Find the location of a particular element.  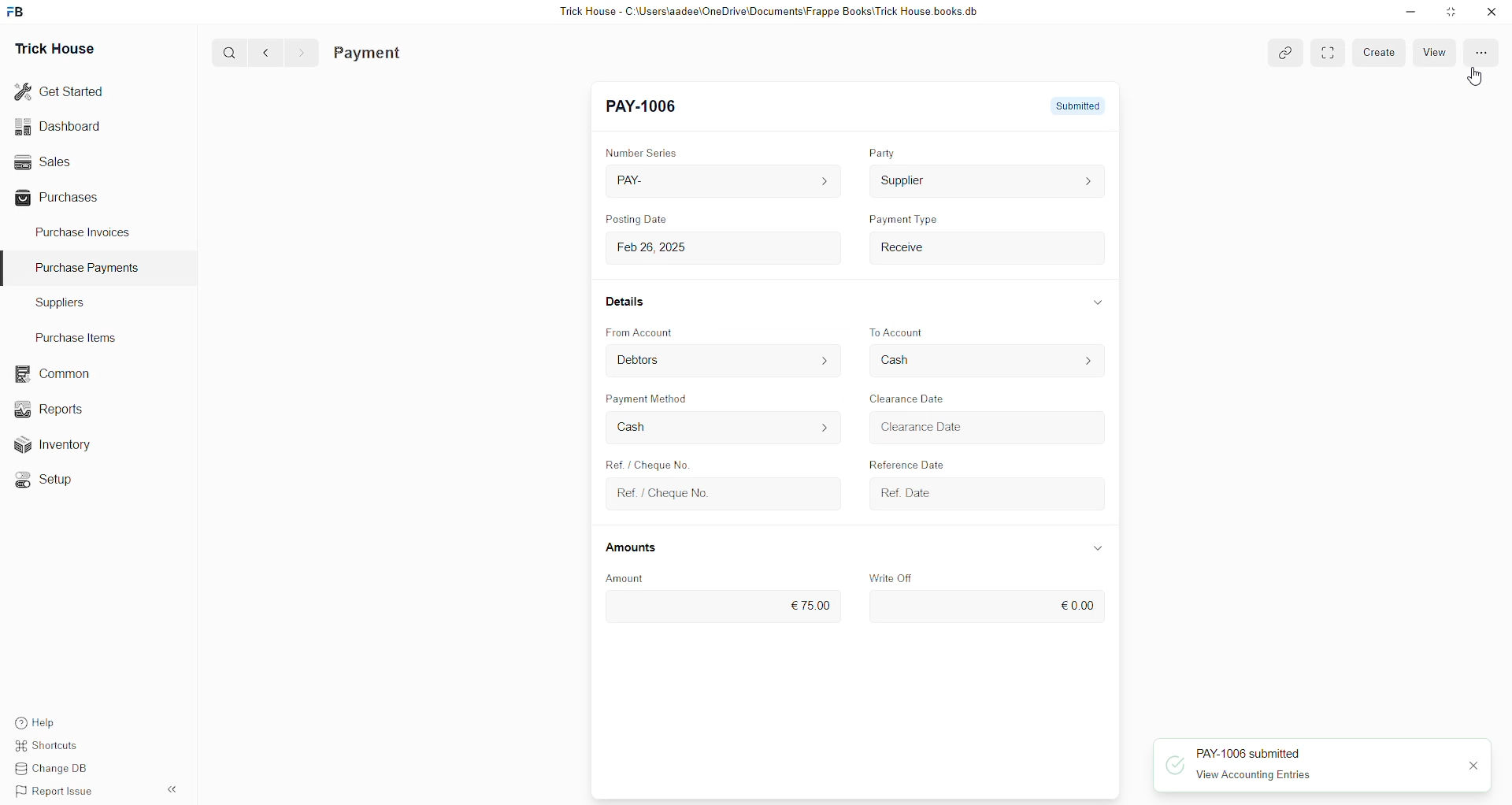

forward is located at coordinates (301, 53).